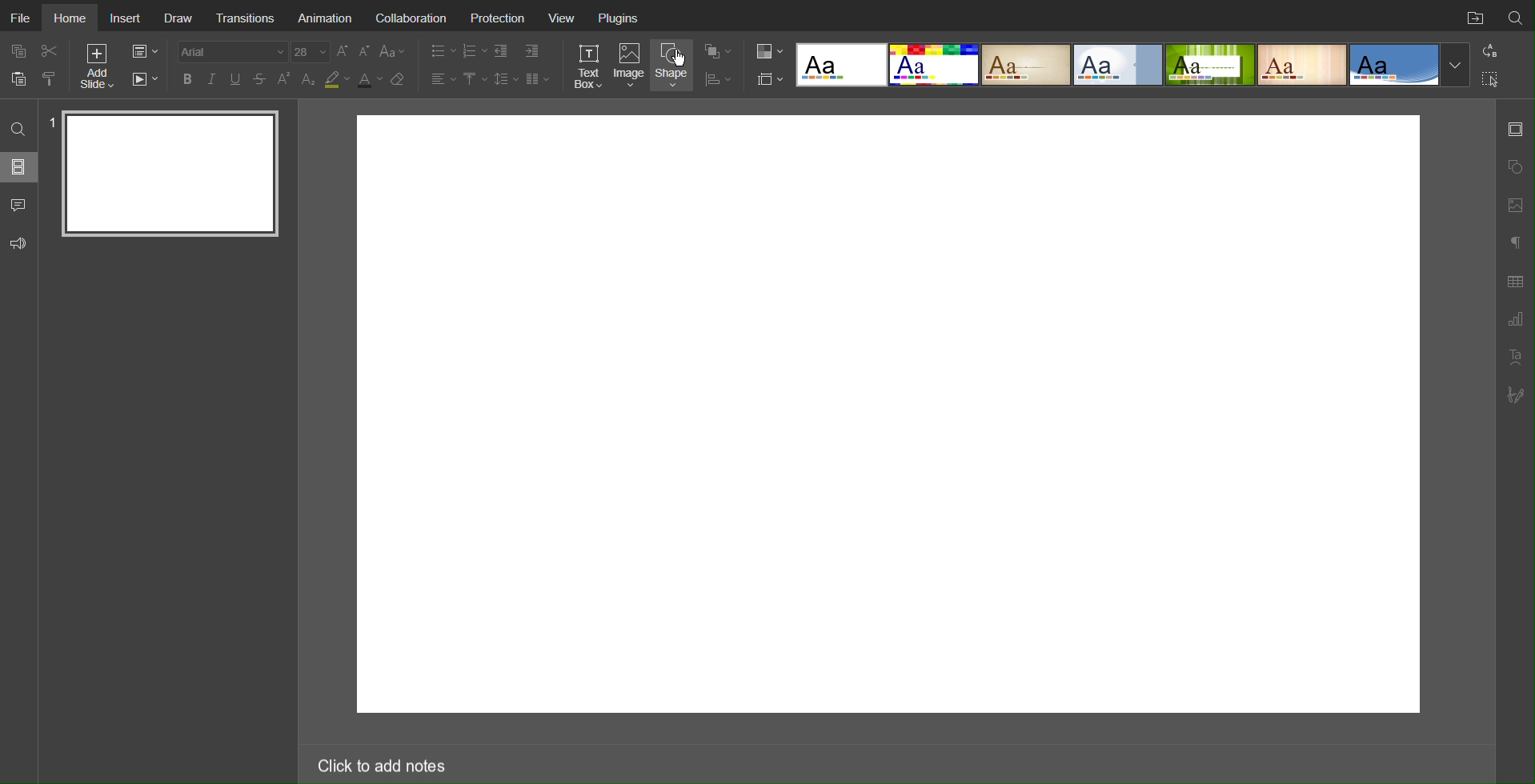  Describe the element at coordinates (1132, 64) in the screenshot. I see `Templates` at that location.